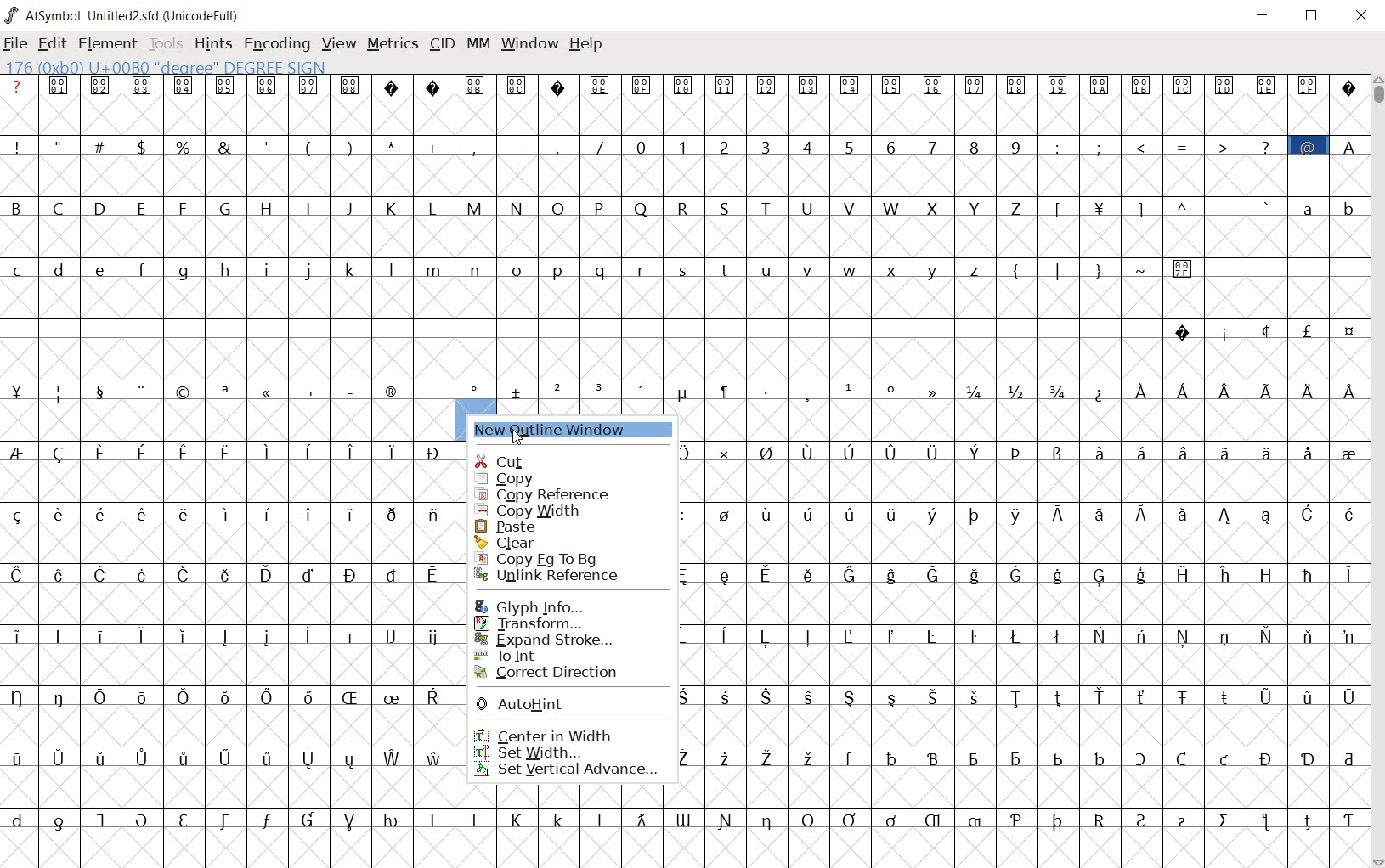 The height and width of the screenshot is (868, 1385). I want to click on special letters, so click(229, 757).